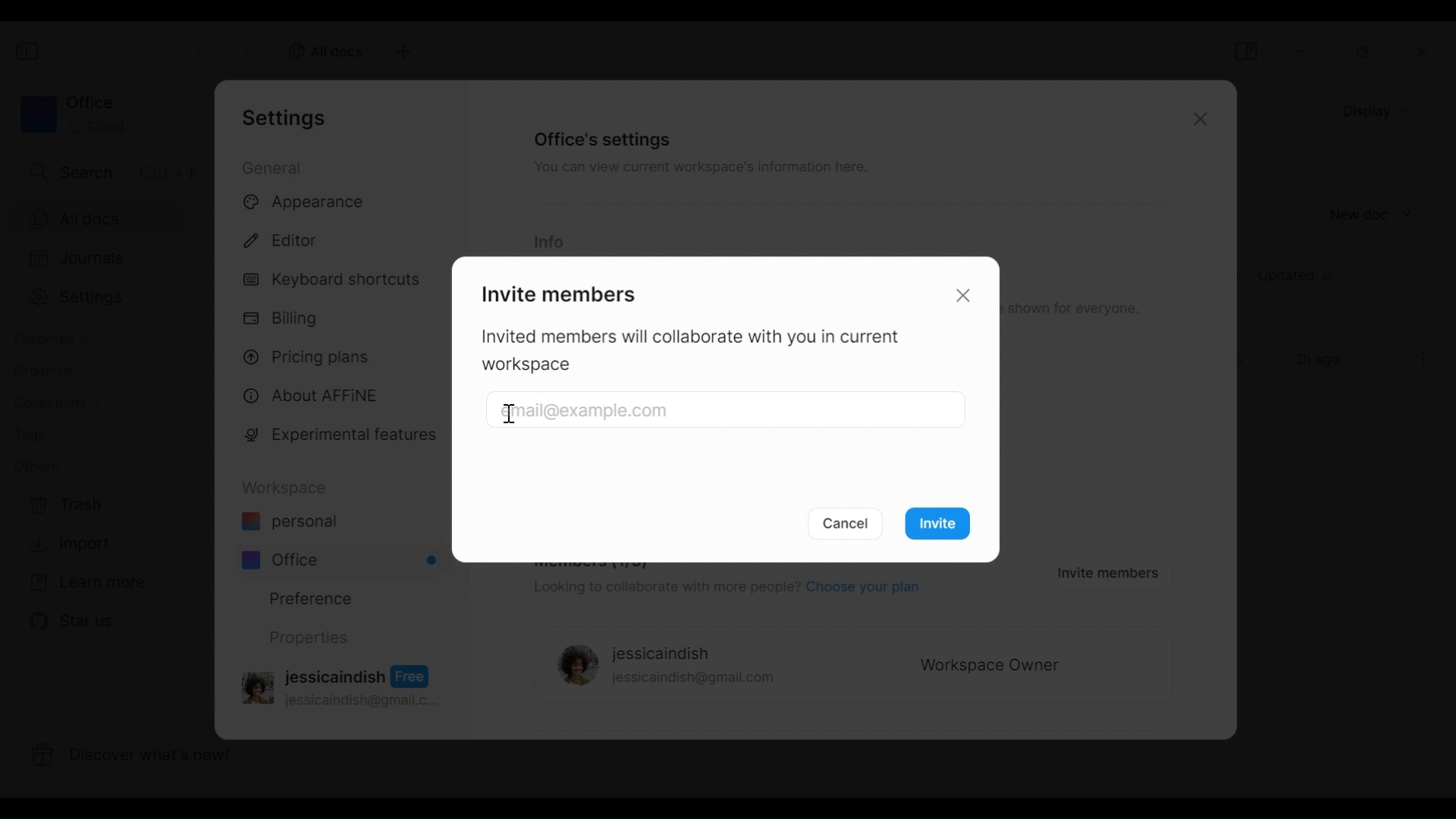 The height and width of the screenshot is (819, 1456). Describe the element at coordinates (510, 416) in the screenshot. I see `Cursor` at that location.